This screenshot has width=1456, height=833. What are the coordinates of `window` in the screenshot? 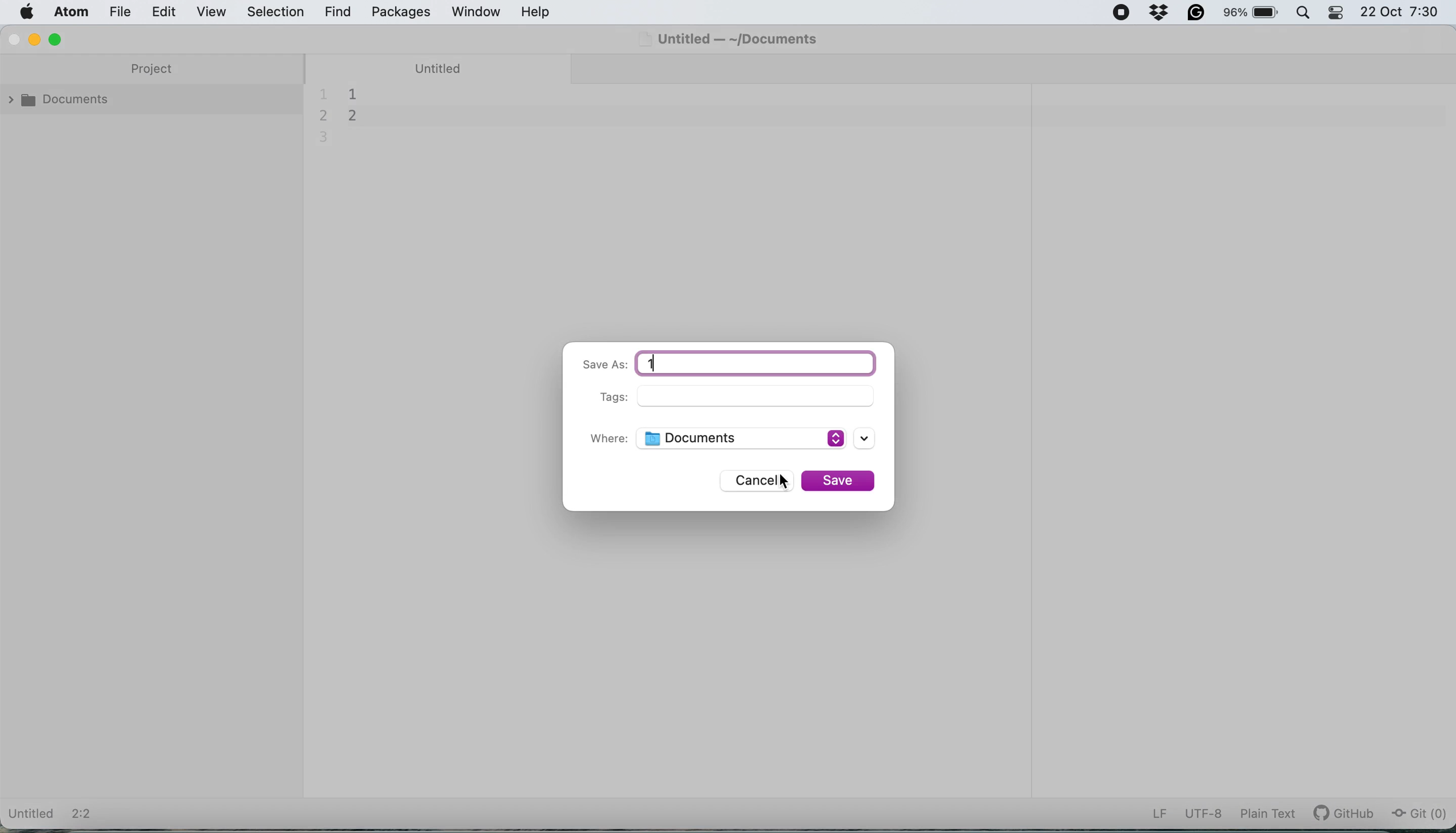 It's located at (477, 12).